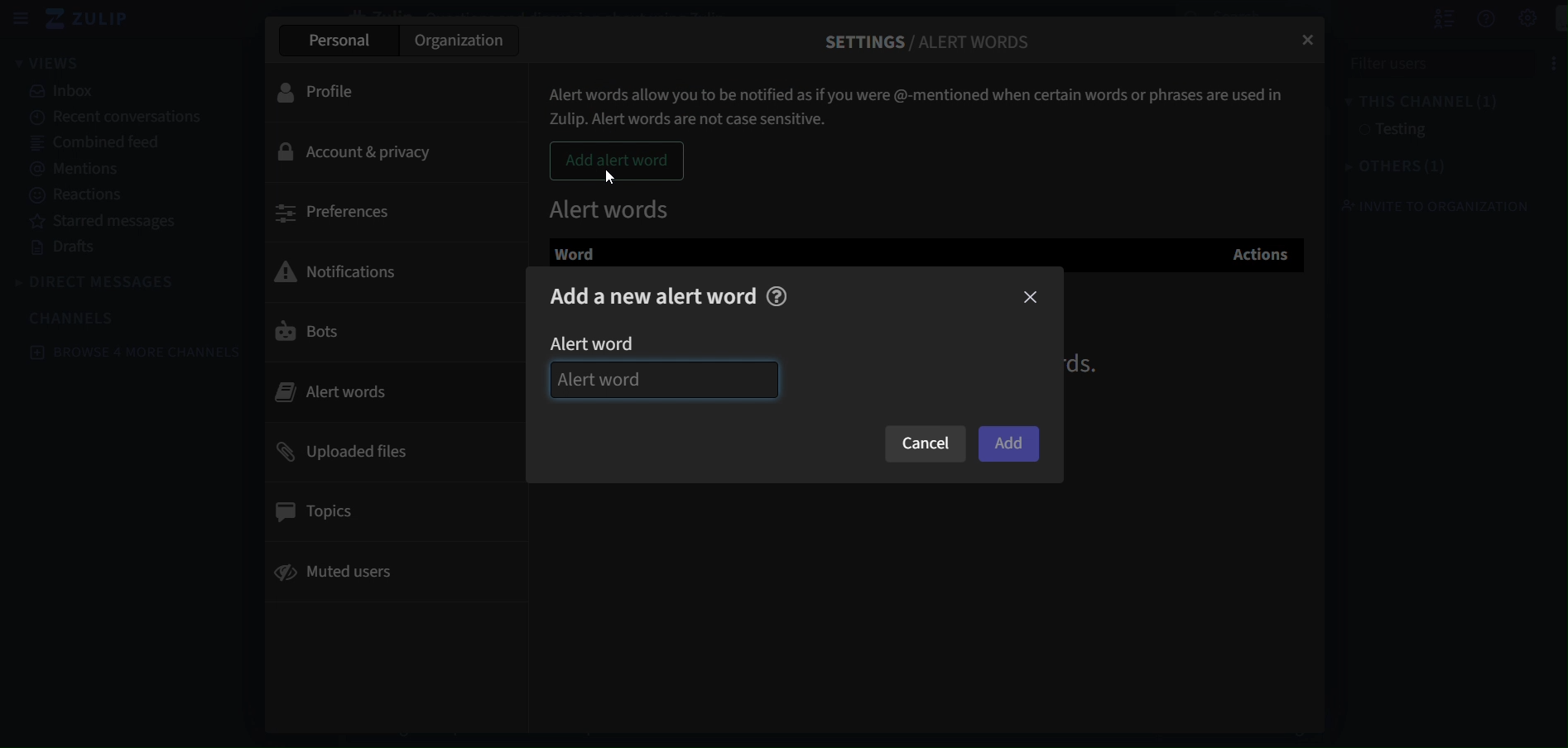  I want to click on combined feed, so click(102, 144).